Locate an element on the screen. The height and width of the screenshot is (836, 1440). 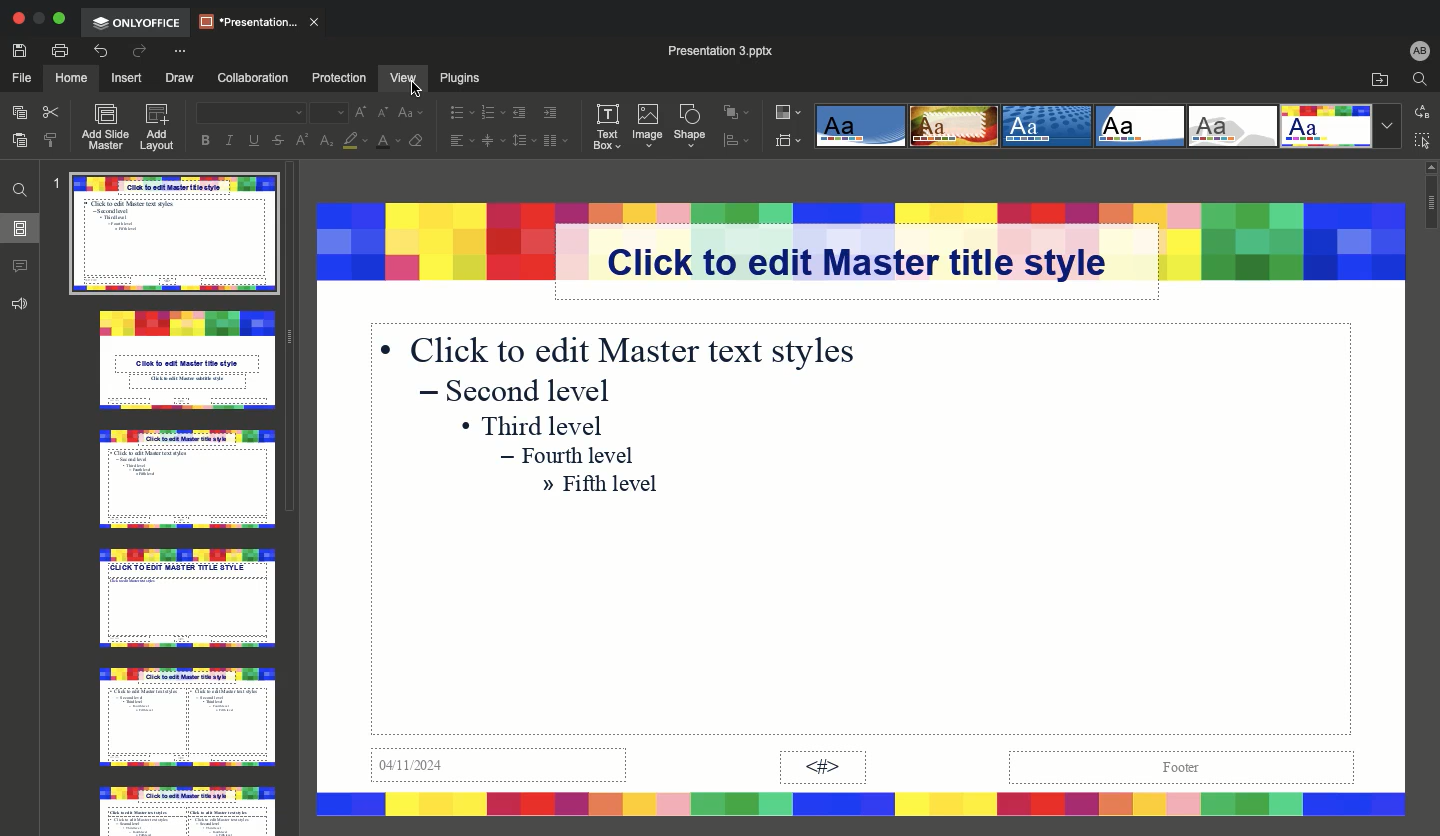
04/11/2024 is located at coordinates (501, 769).